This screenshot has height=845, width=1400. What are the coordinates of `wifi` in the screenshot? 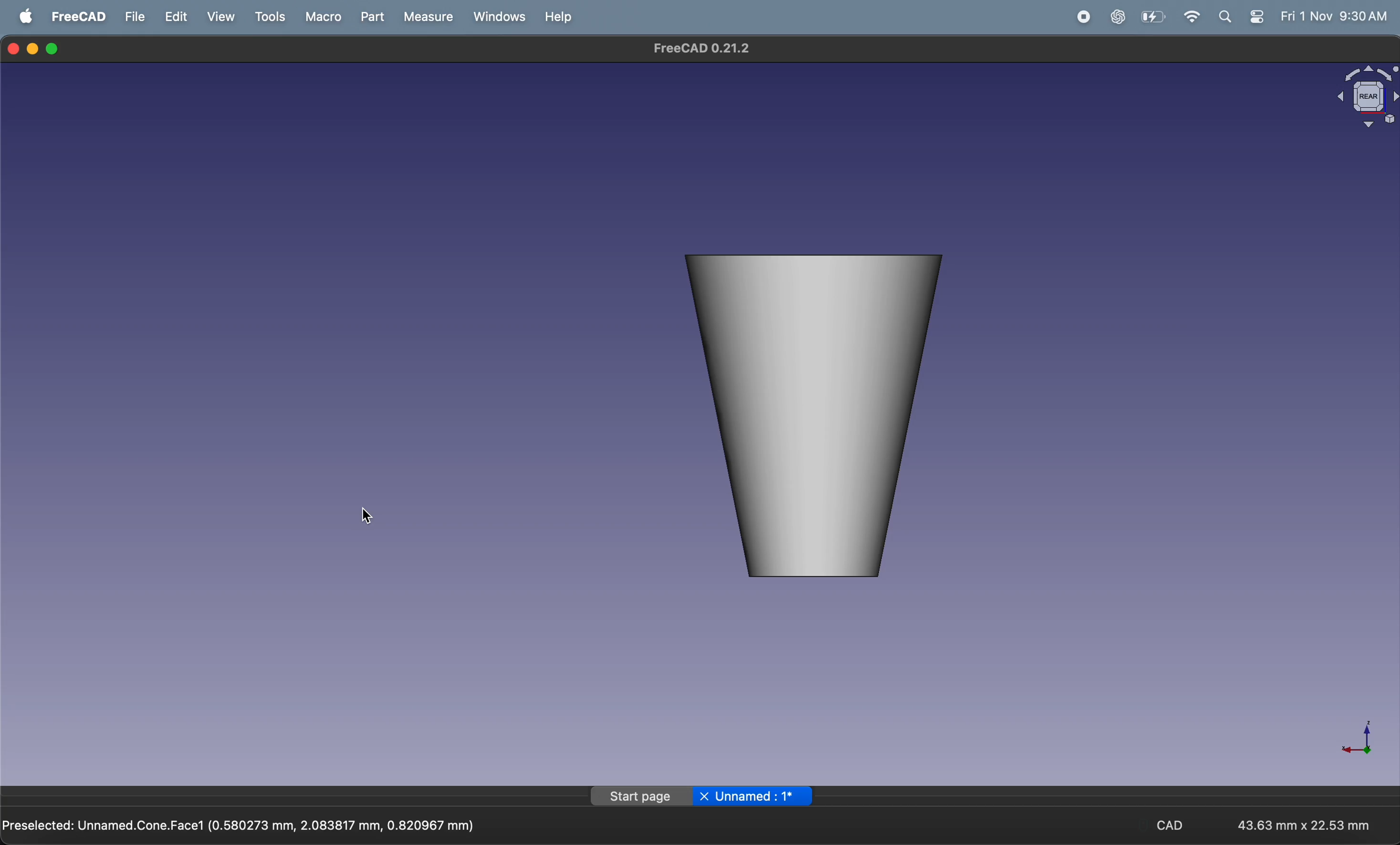 It's located at (1193, 16).